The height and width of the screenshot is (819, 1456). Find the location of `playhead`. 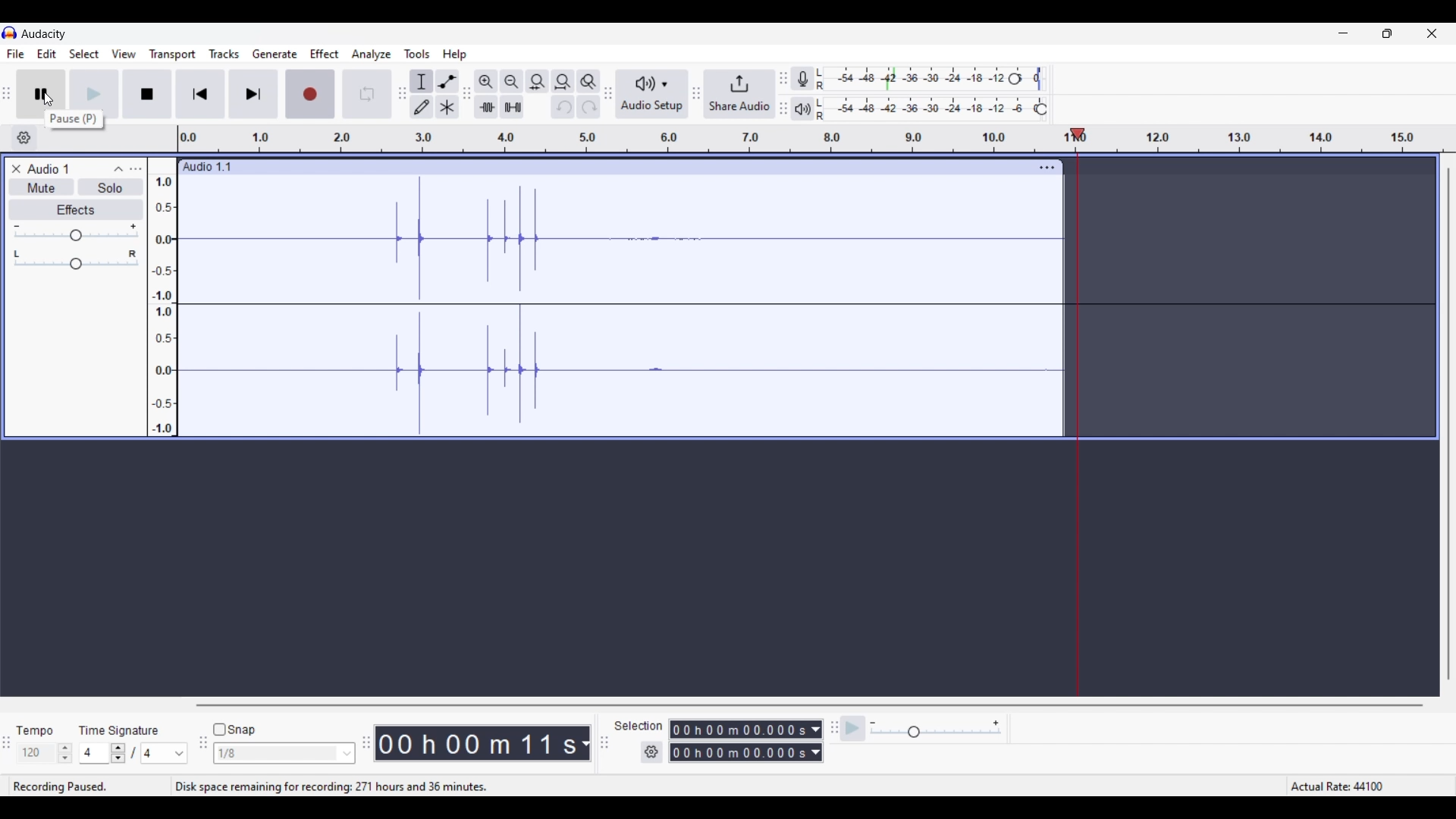

playhead is located at coordinates (1077, 133).